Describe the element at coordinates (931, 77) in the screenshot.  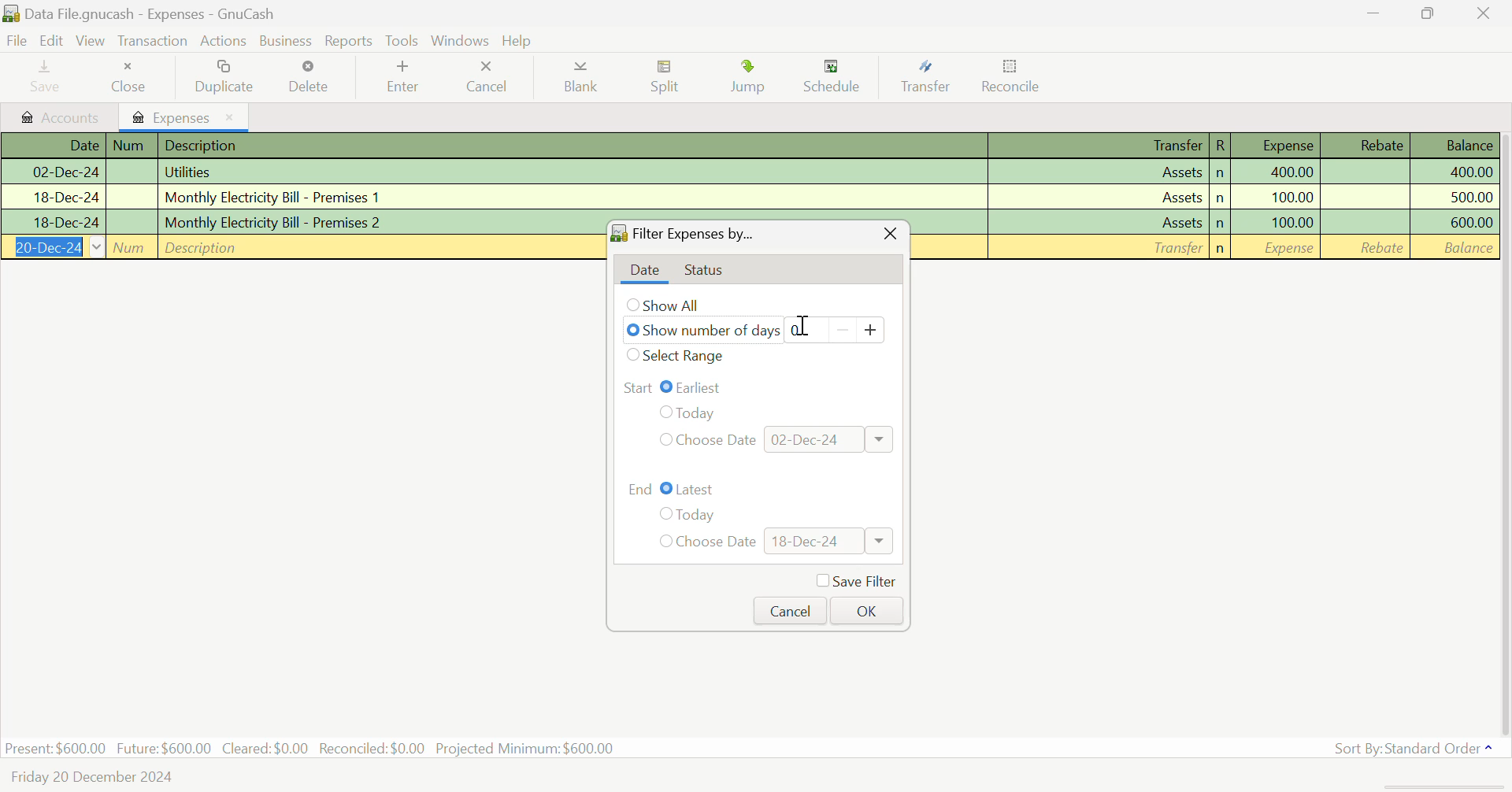
I see `Transfer` at that location.